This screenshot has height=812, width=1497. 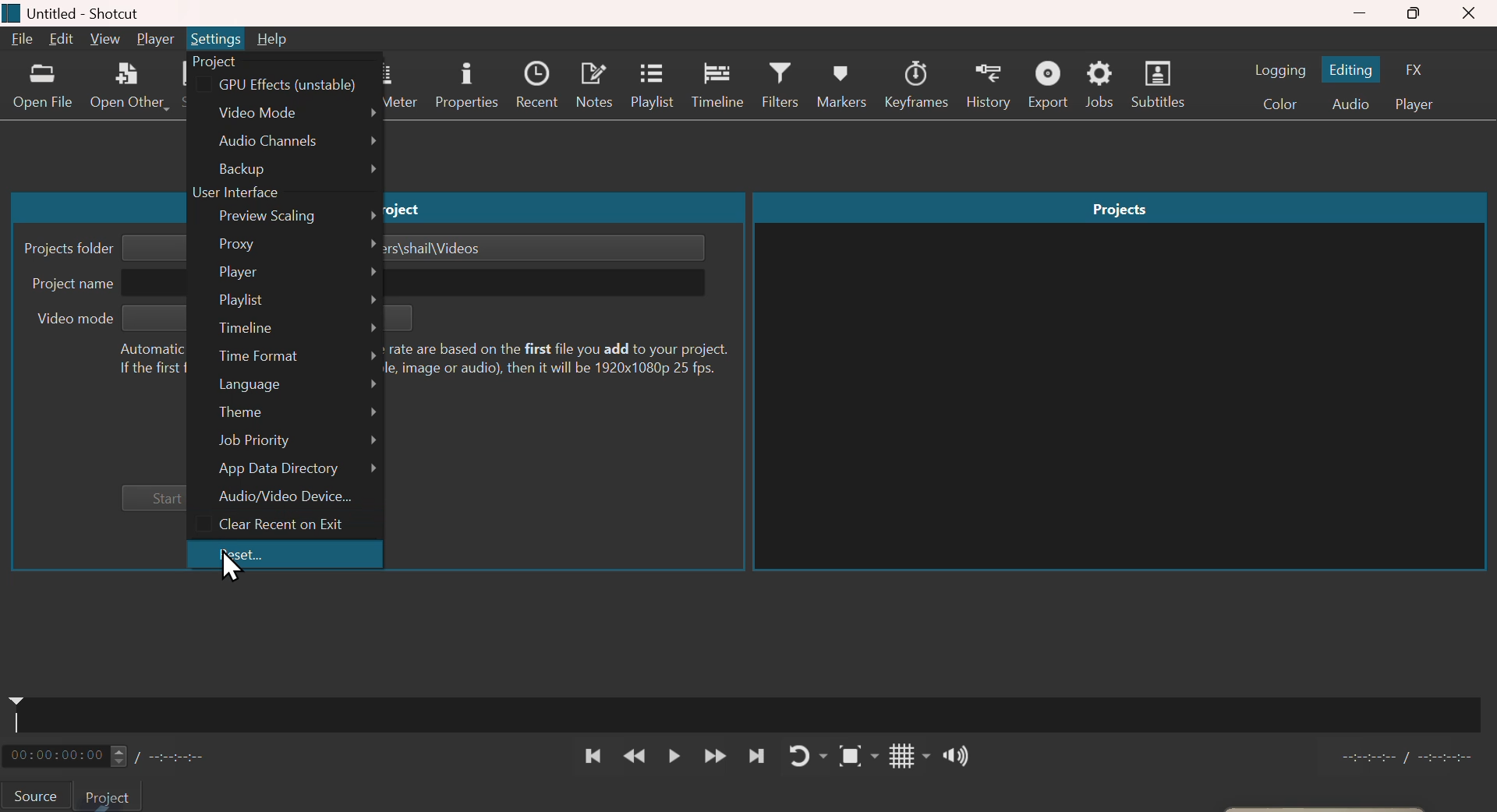 I want to click on Theme, so click(x=284, y=411).